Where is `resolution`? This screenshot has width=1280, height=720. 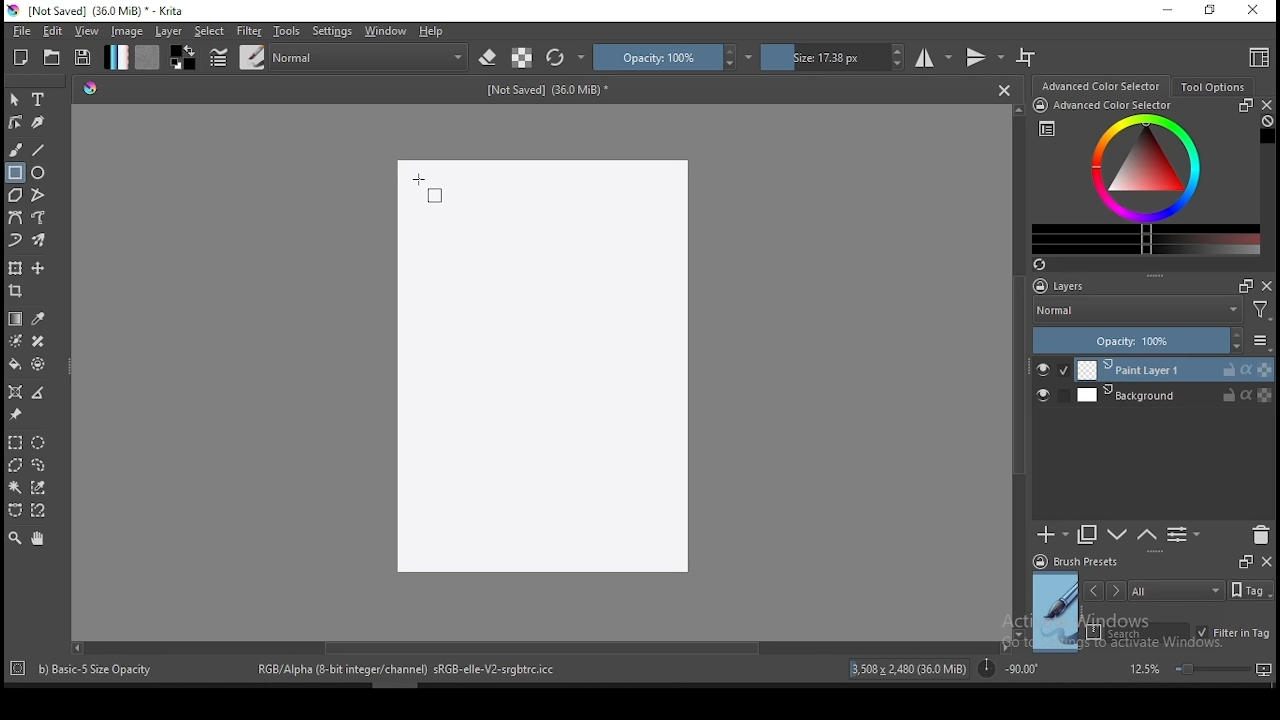 resolution is located at coordinates (911, 669).